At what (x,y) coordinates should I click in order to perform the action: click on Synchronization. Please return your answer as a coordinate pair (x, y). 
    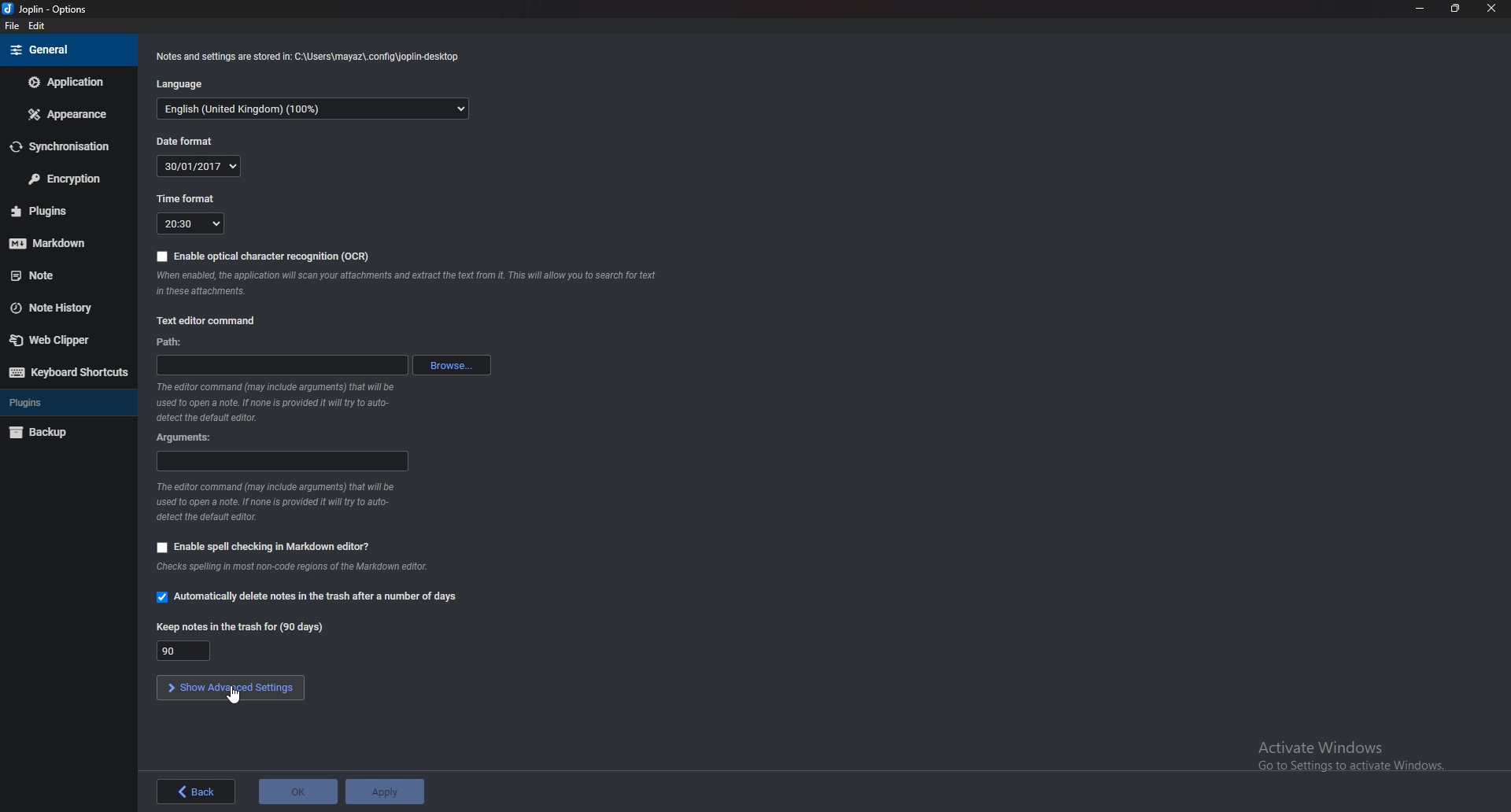
    Looking at the image, I should click on (66, 145).